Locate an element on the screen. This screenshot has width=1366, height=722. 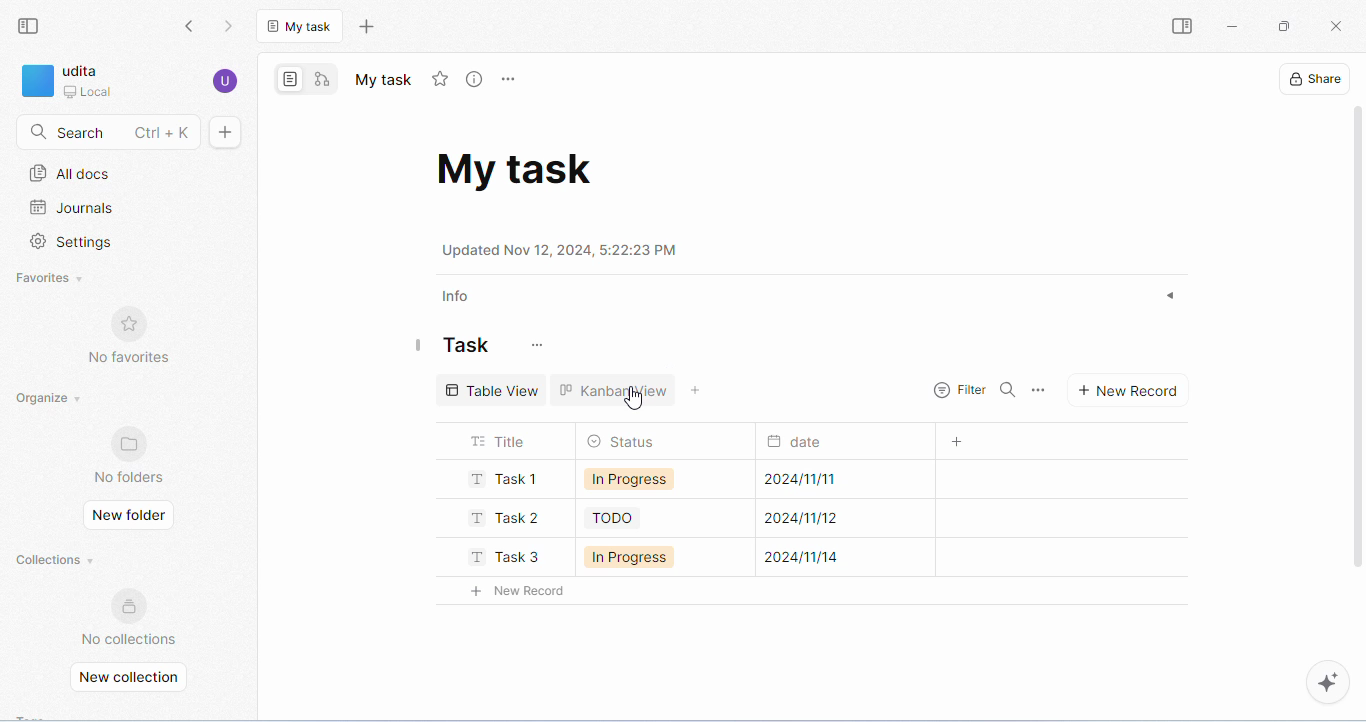
customize task is located at coordinates (541, 346).